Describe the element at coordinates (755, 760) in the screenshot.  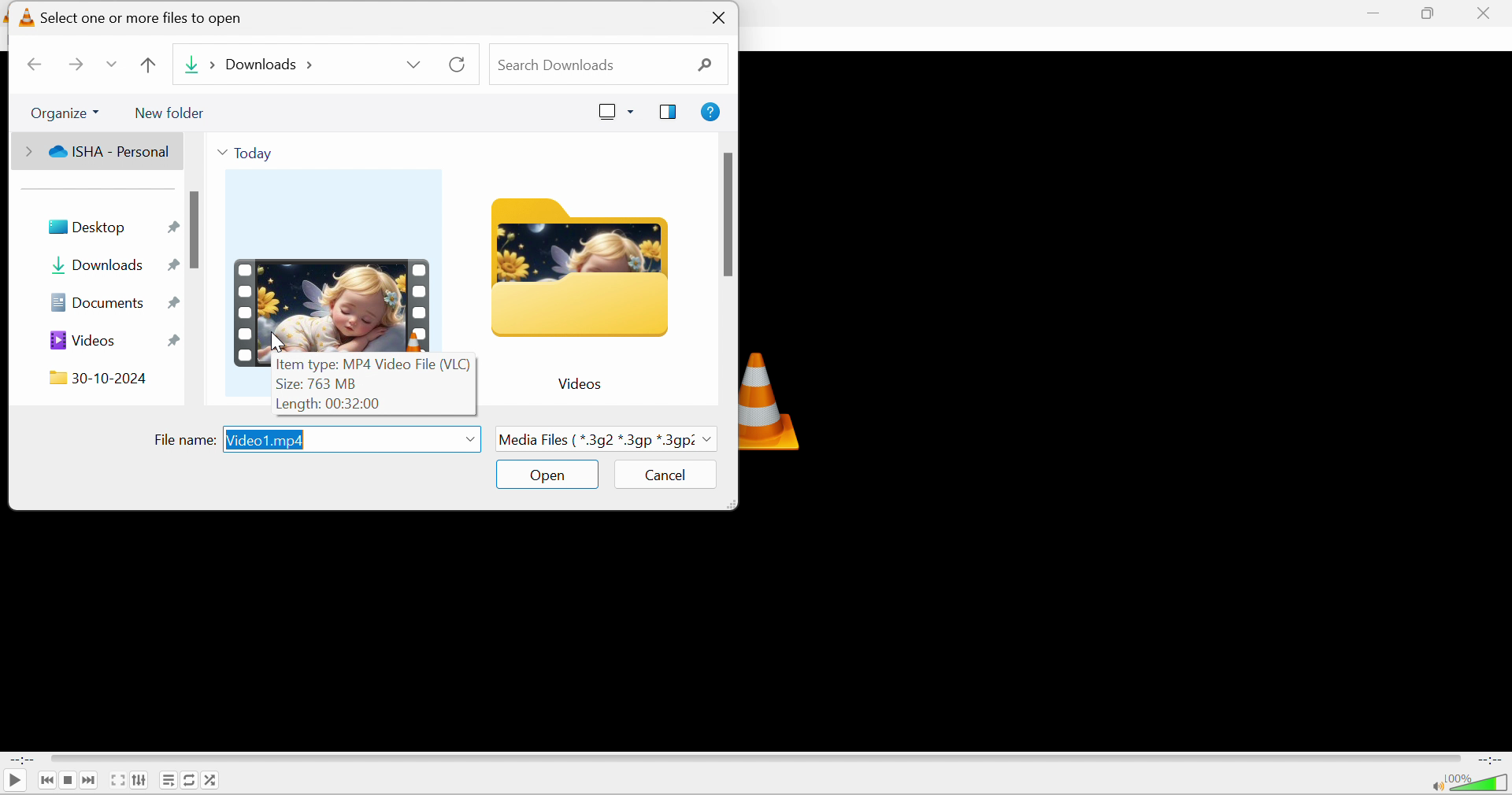
I see `Progress bar` at that location.